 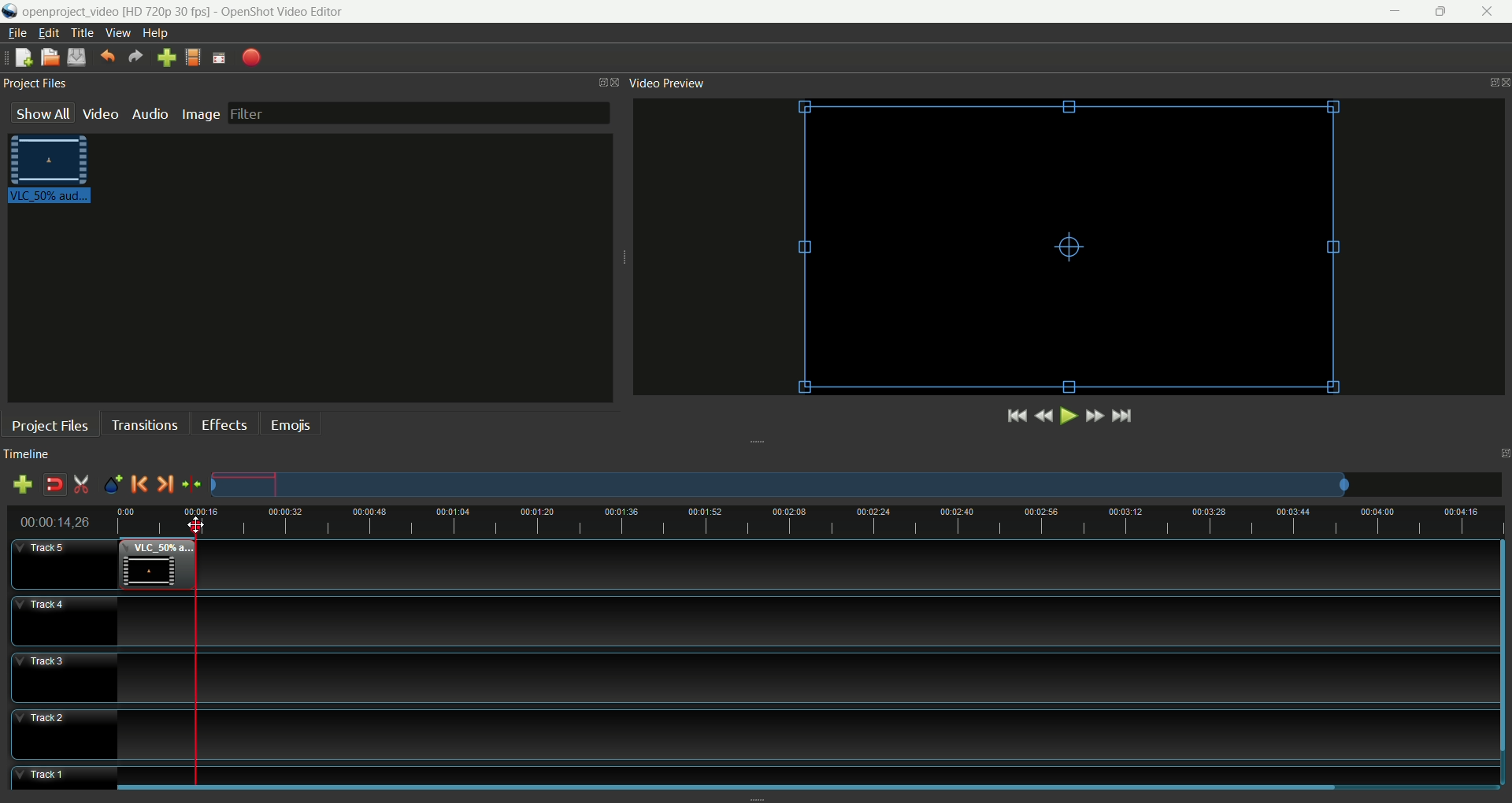 I want to click on disable snapping, so click(x=54, y=485).